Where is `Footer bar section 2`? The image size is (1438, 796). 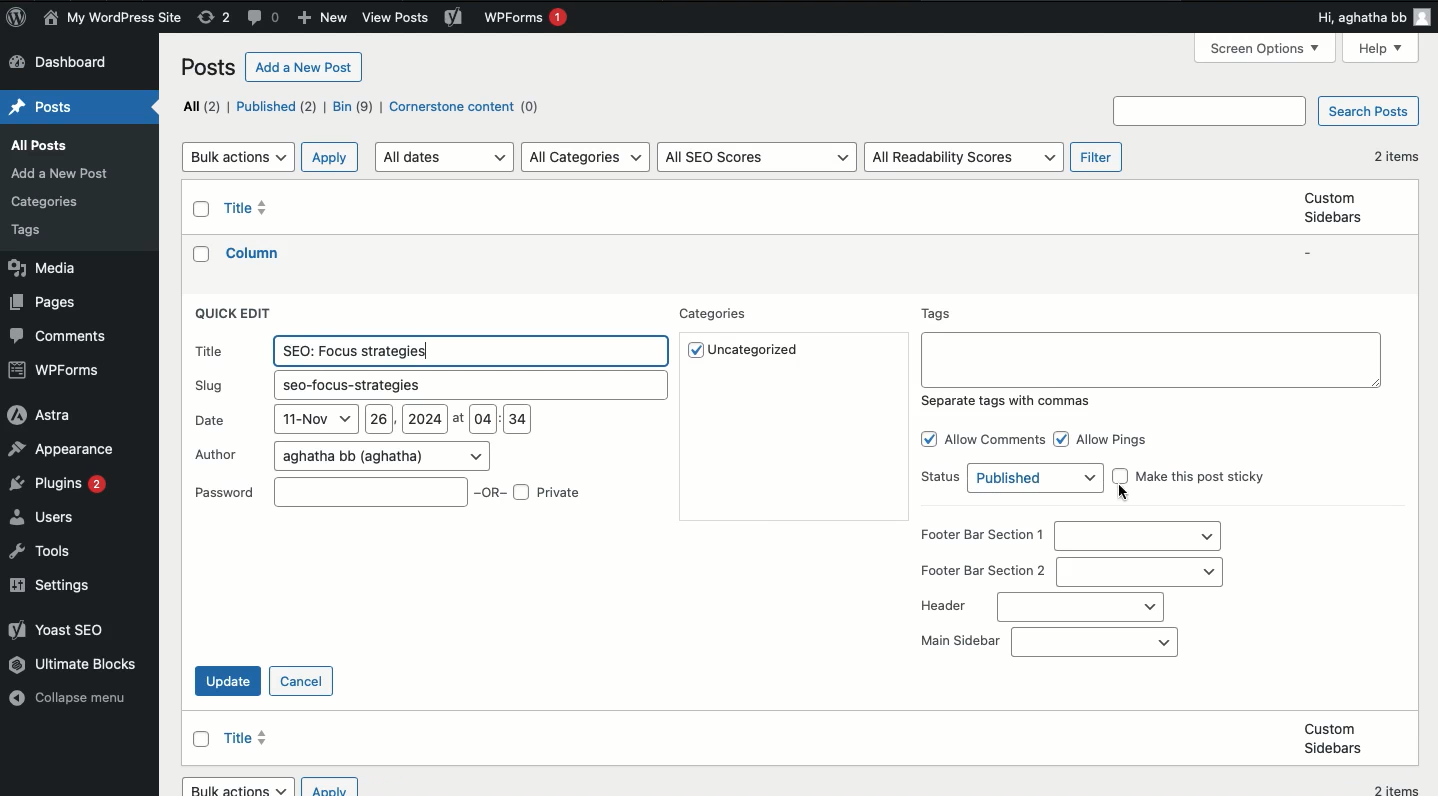 Footer bar section 2 is located at coordinates (983, 571).